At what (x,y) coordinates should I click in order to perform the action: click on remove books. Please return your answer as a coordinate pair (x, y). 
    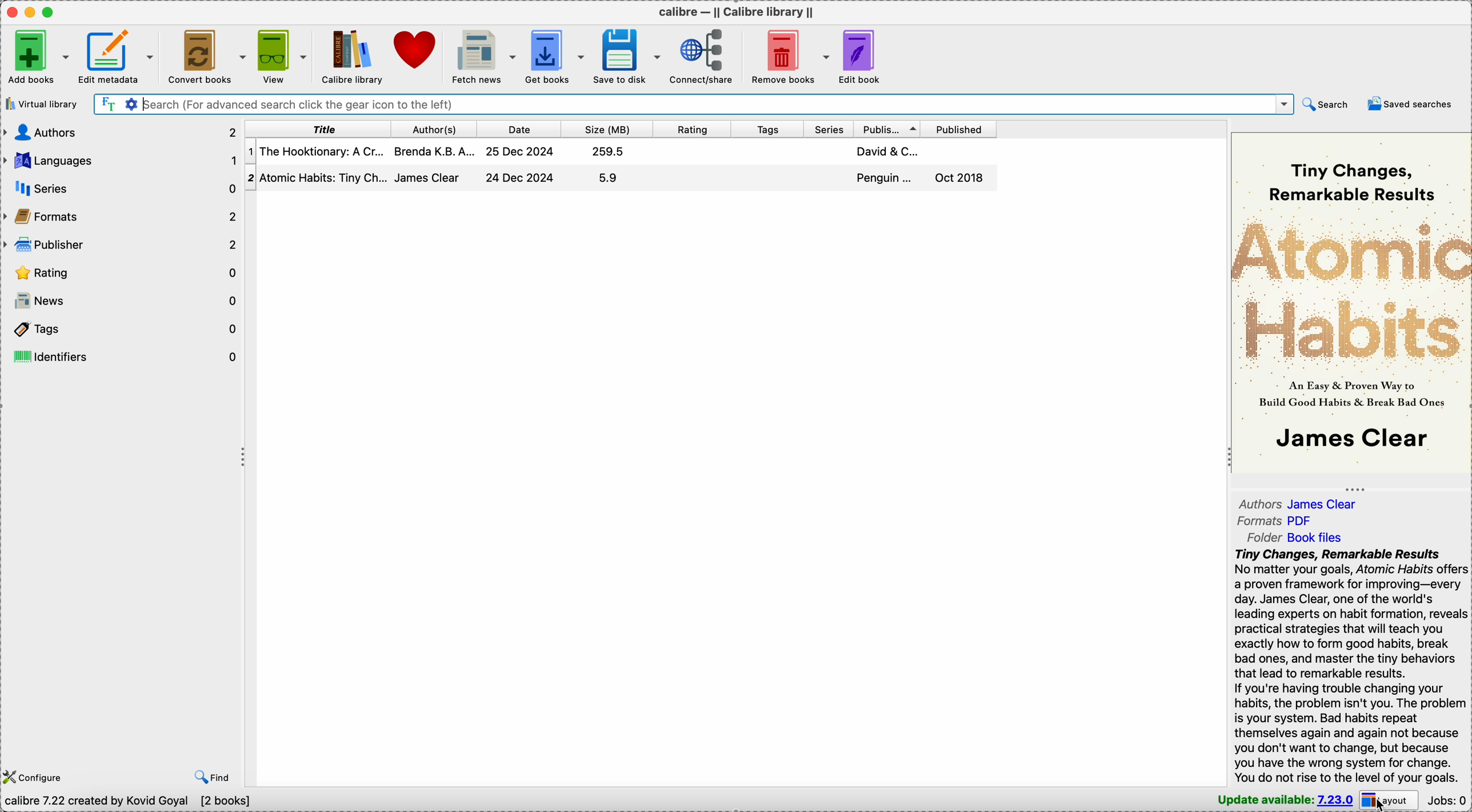
    Looking at the image, I should click on (789, 54).